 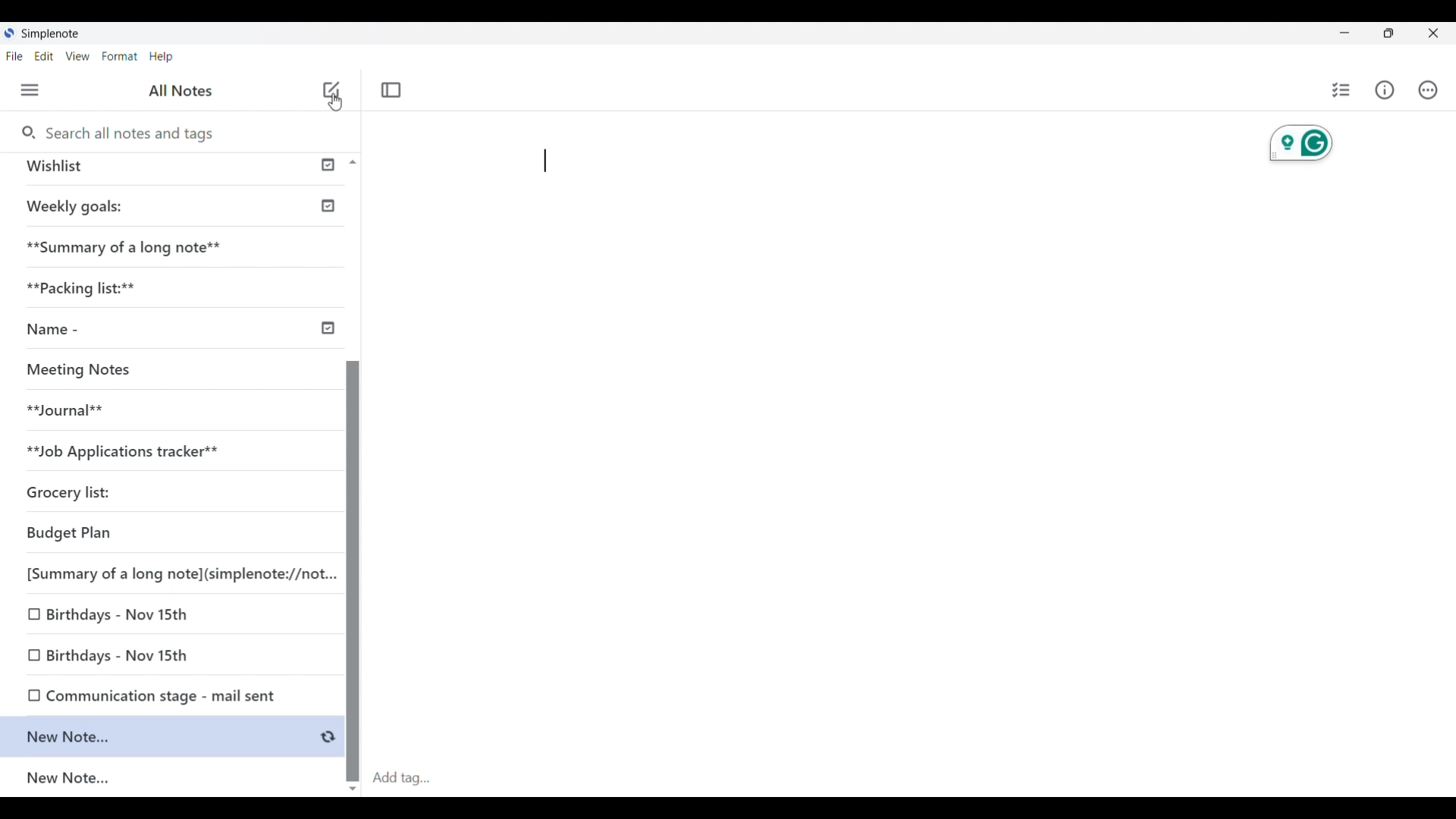 I want to click on checkbox, so click(x=31, y=655).